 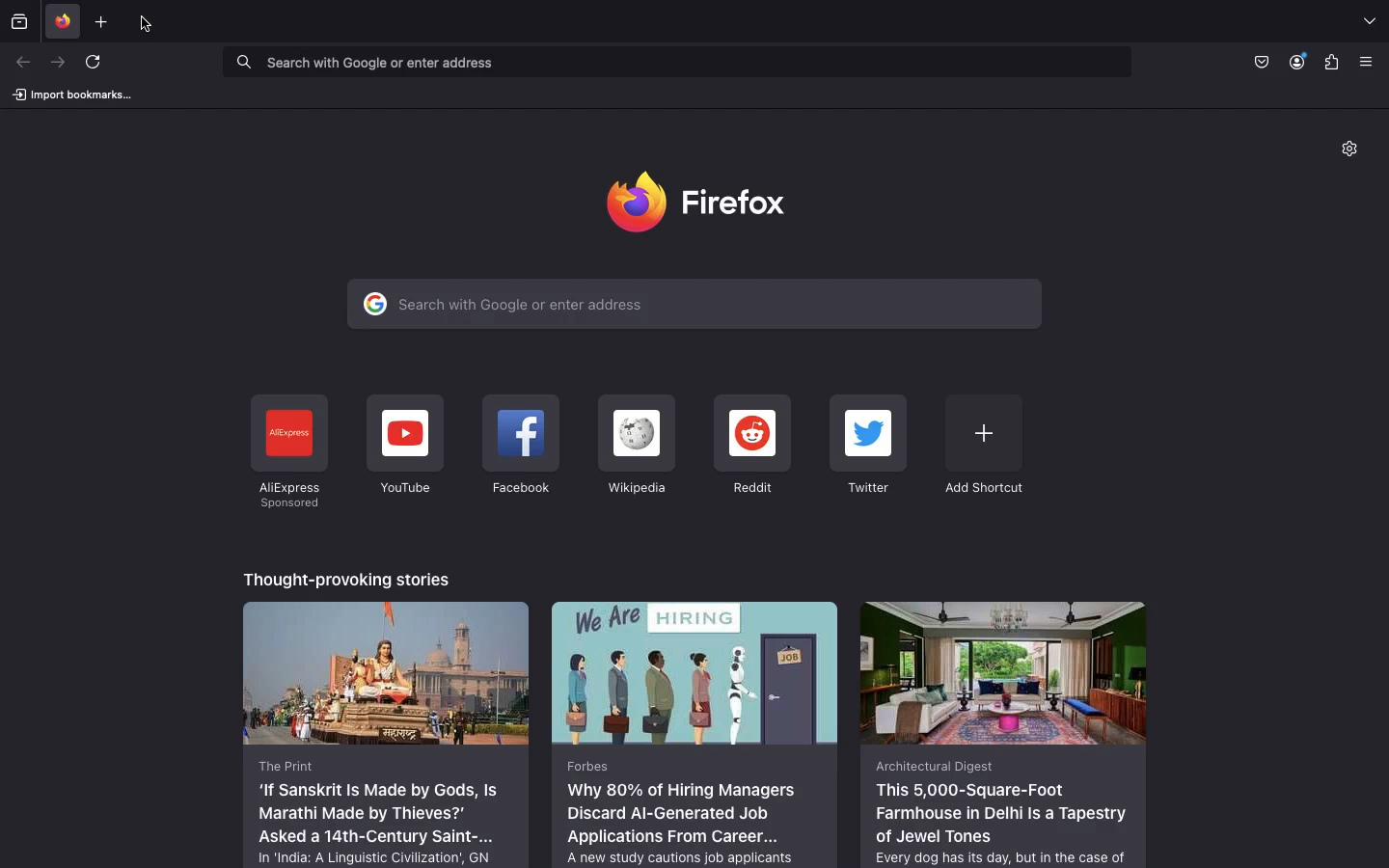 What do you see at coordinates (983, 444) in the screenshot?
I see `Add shortcut` at bounding box center [983, 444].